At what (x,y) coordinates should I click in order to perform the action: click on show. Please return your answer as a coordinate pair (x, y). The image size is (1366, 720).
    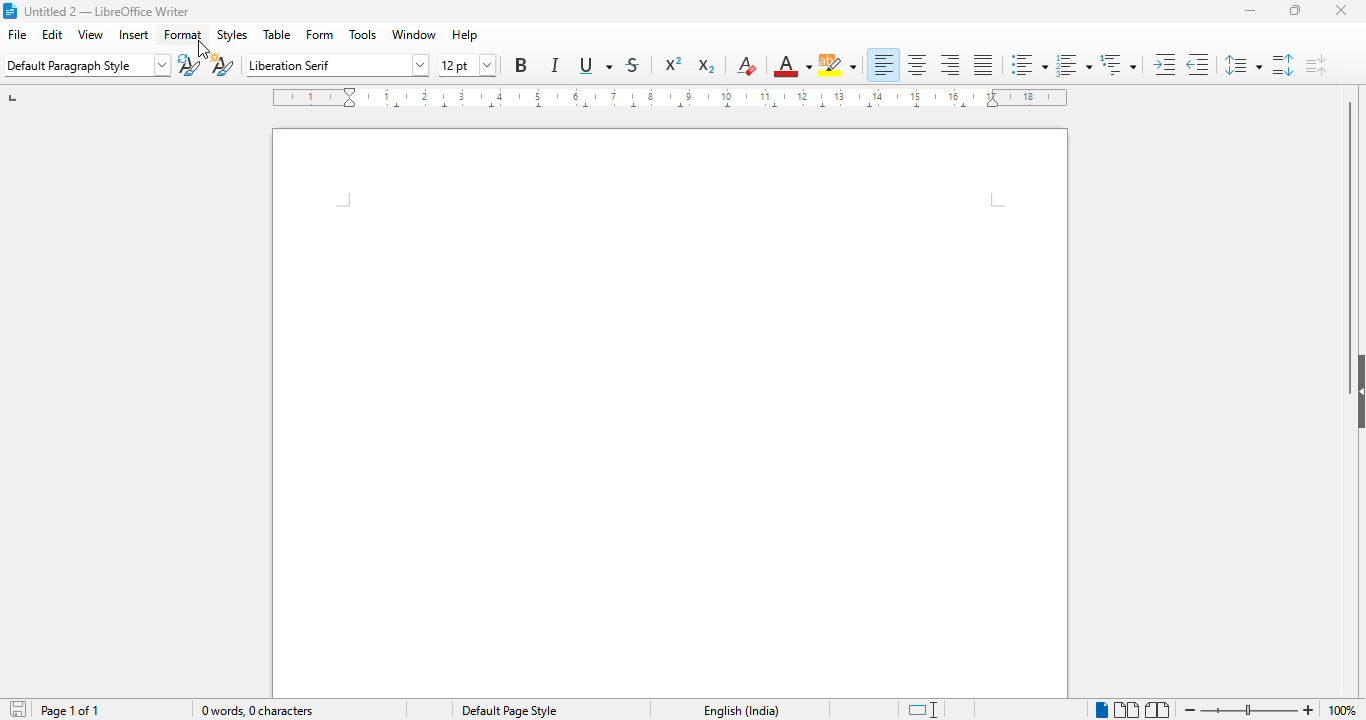
    Looking at the image, I should click on (1357, 392).